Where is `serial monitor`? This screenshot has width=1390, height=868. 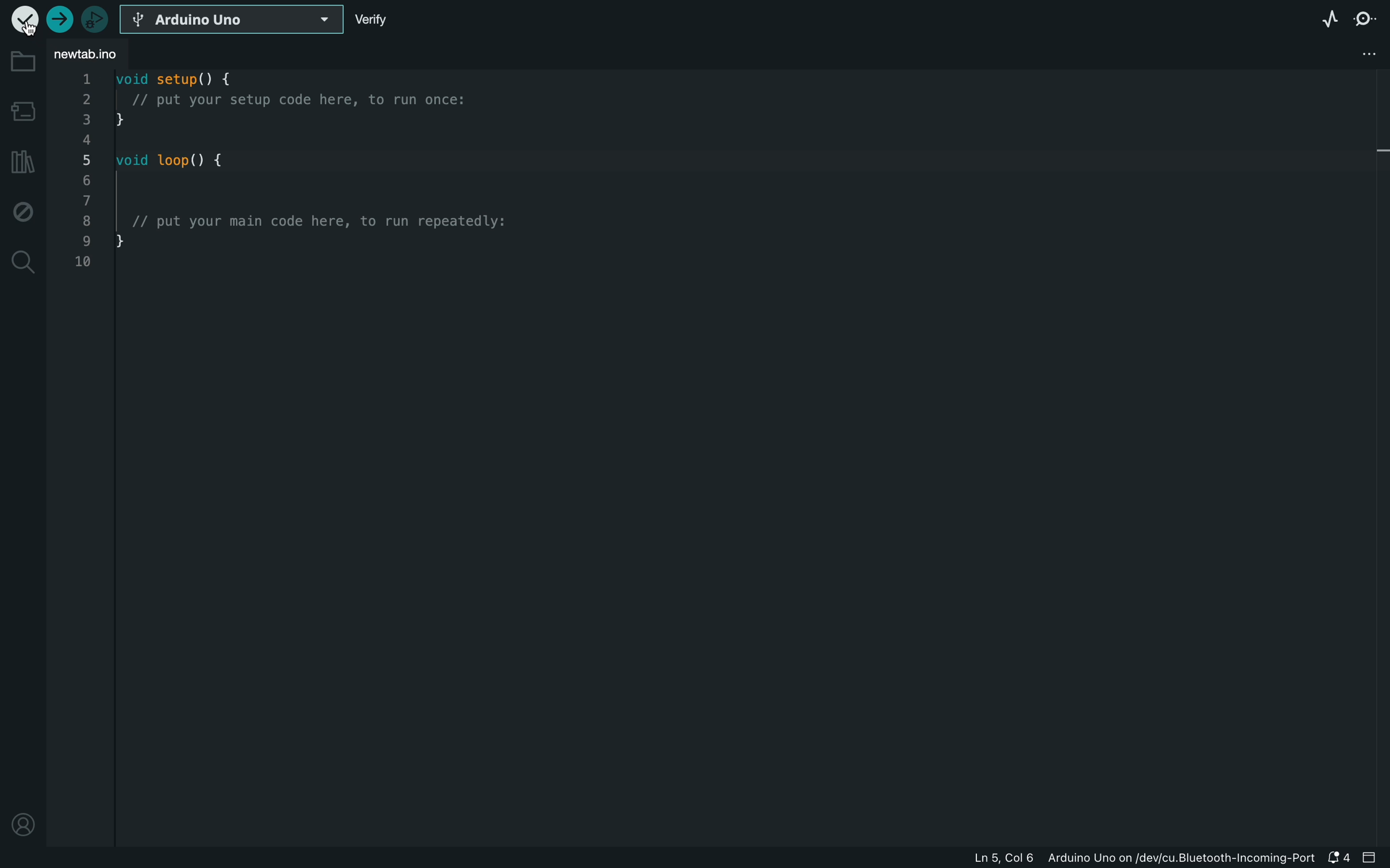
serial monitor is located at coordinates (1367, 20).